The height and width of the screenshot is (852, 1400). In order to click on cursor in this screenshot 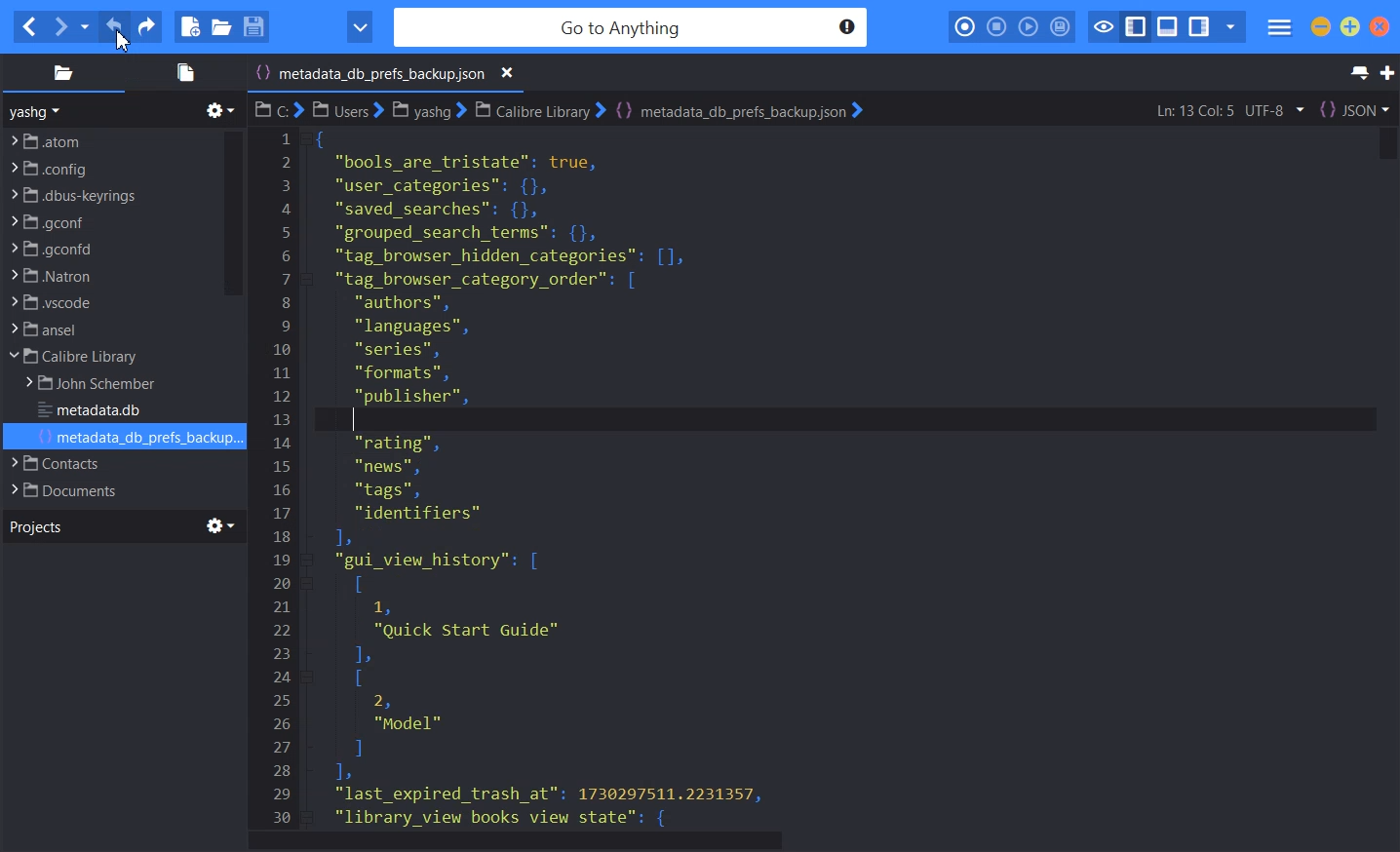, I will do `click(123, 39)`.